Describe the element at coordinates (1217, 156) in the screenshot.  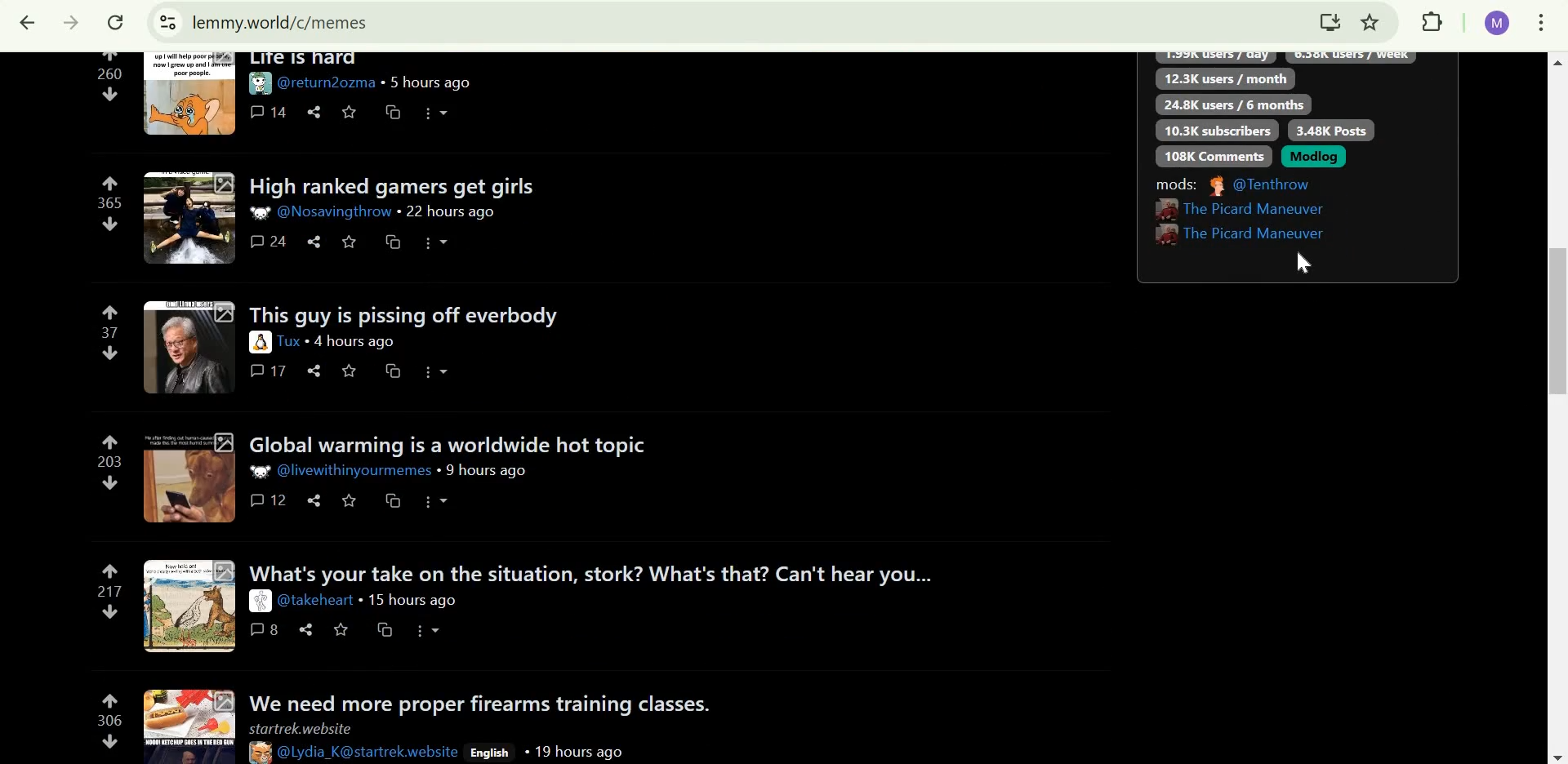
I see `108K comments` at that location.